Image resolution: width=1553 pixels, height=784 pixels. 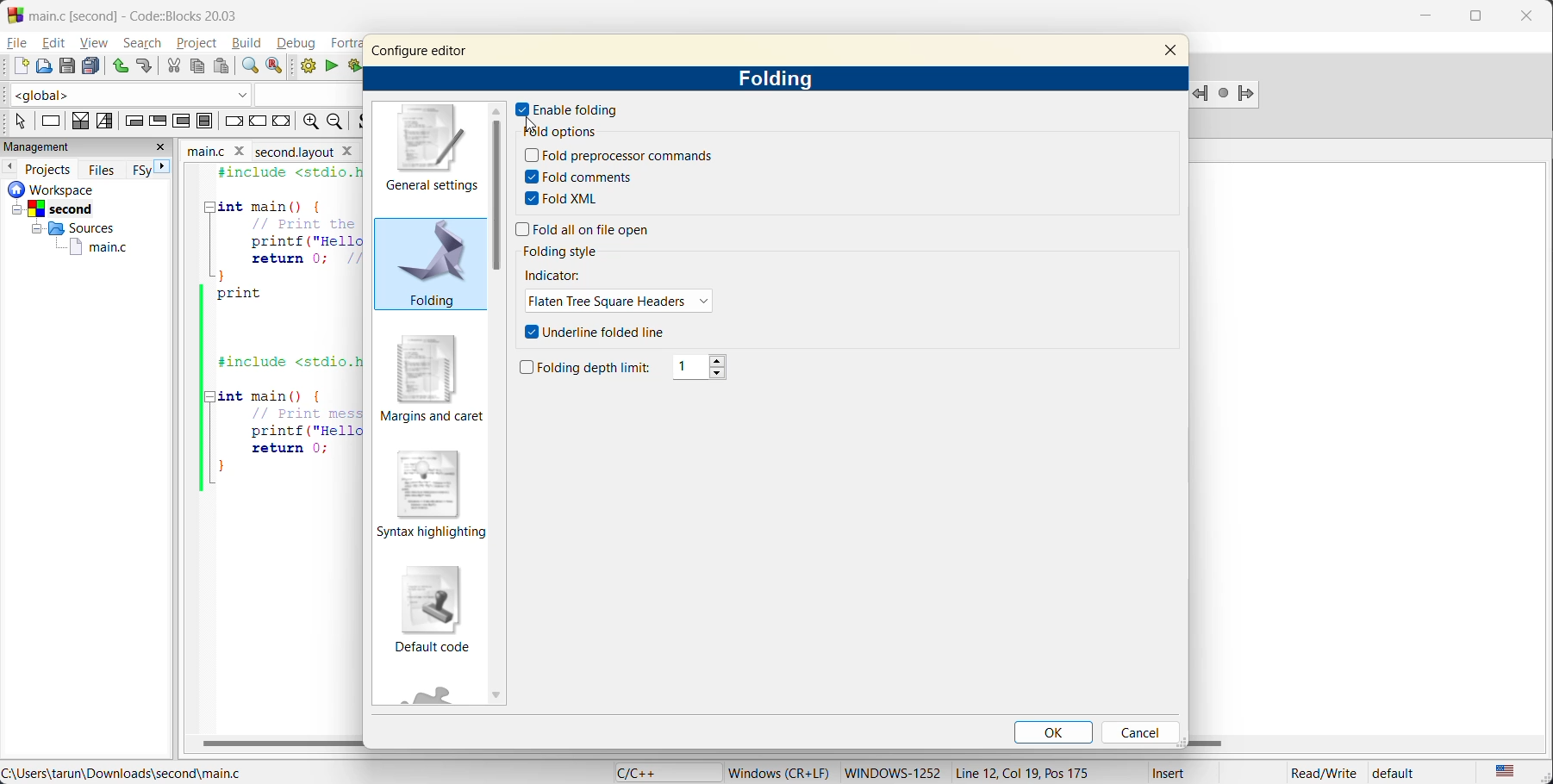 What do you see at coordinates (566, 252) in the screenshot?
I see `folding style` at bounding box center [566, 252].